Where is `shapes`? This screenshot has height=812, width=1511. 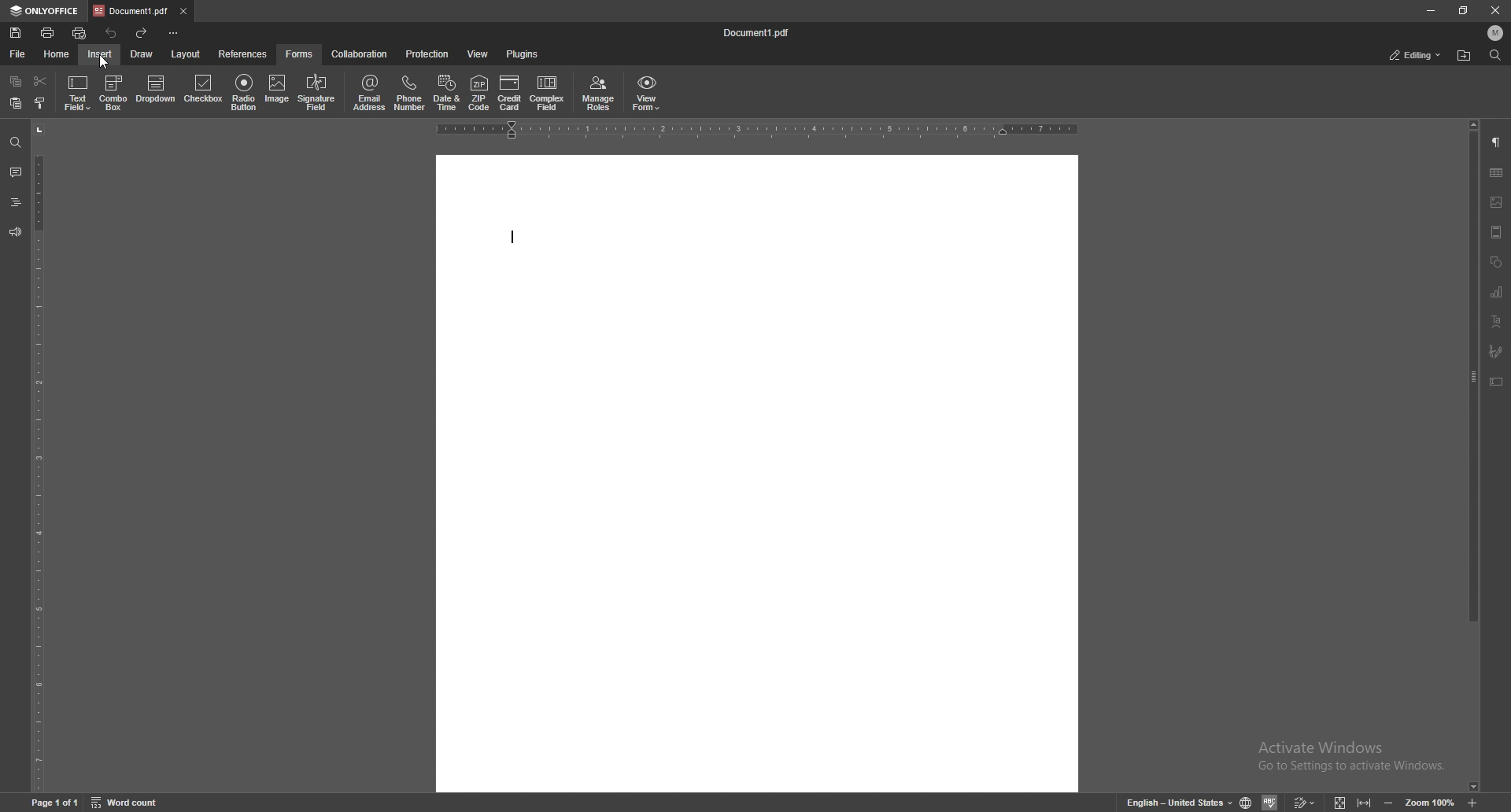 shapes is located at coordinates (1498, 262).